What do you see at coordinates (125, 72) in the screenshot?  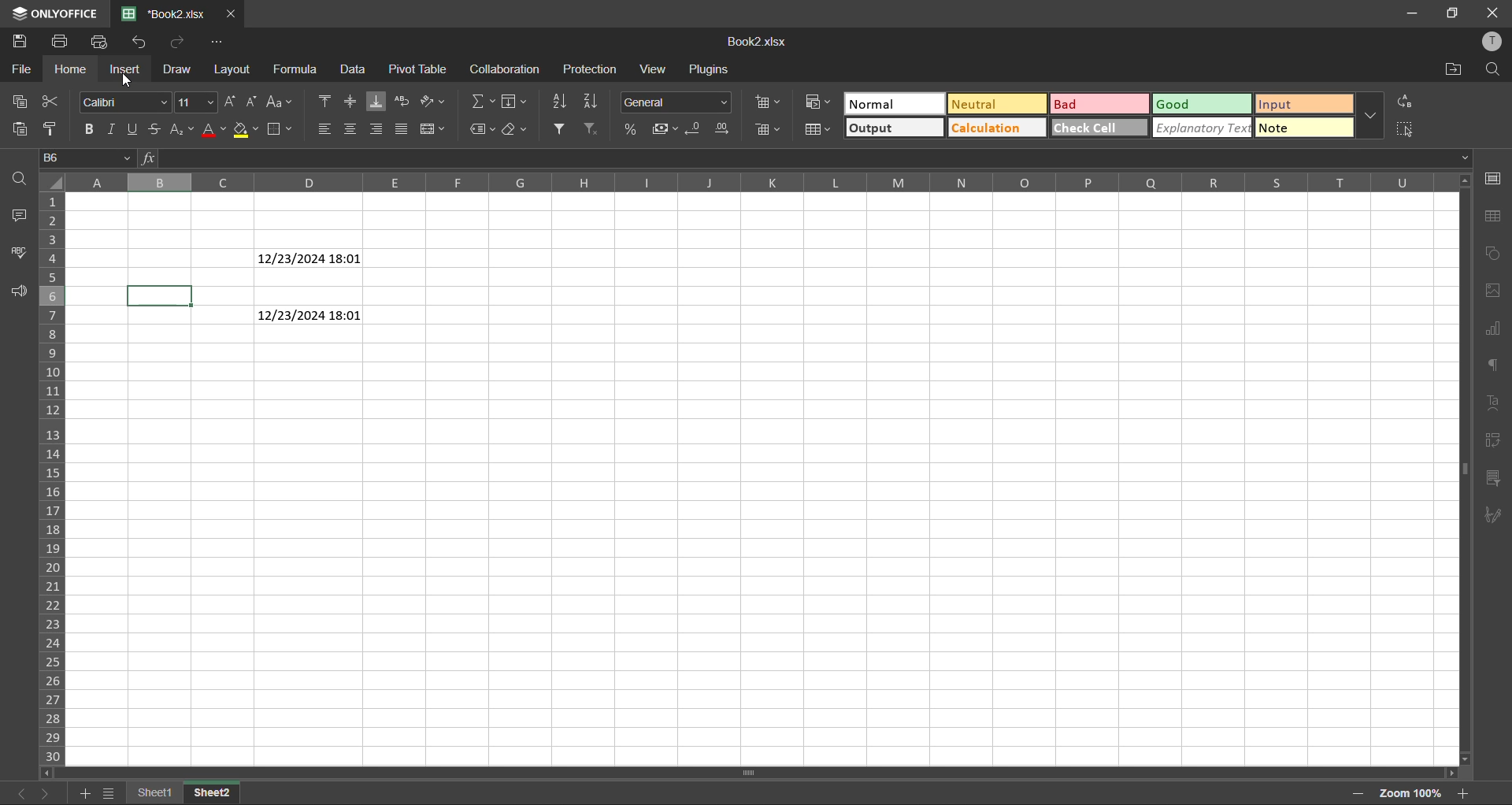 I see `insert` at bounding box center [125, 72].